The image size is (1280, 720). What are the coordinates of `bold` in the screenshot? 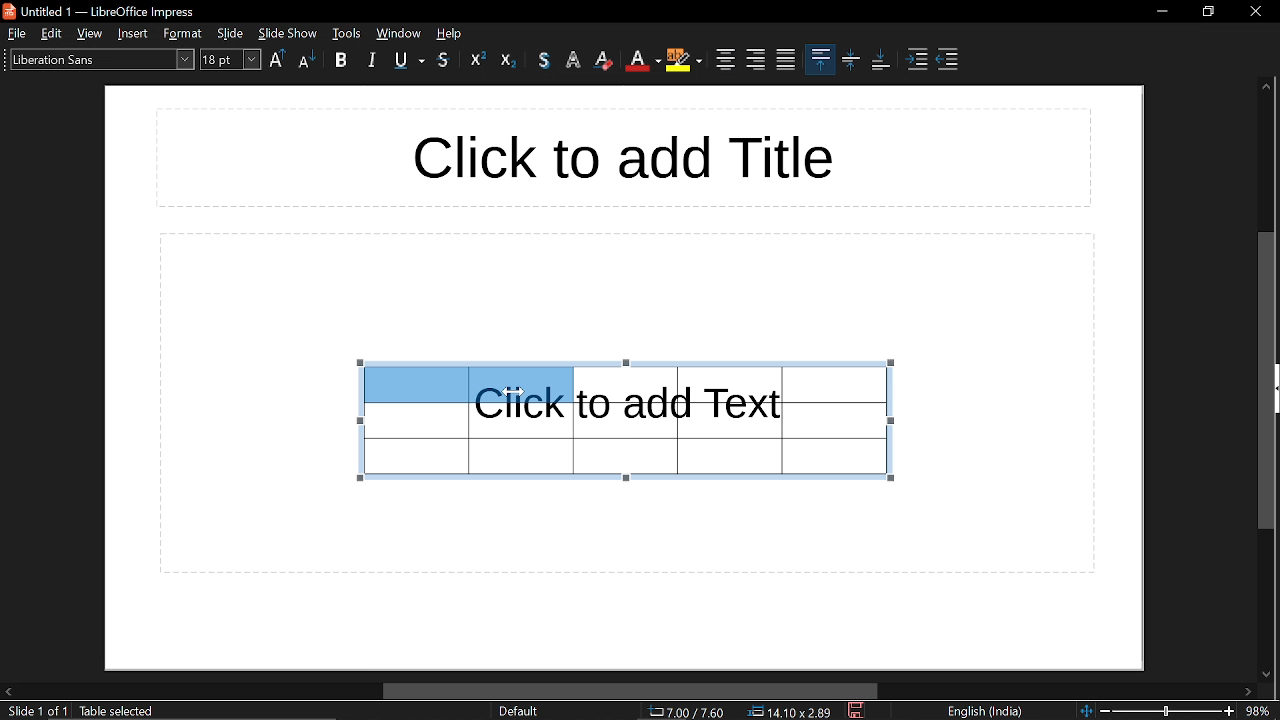 It's located at (345, 62).